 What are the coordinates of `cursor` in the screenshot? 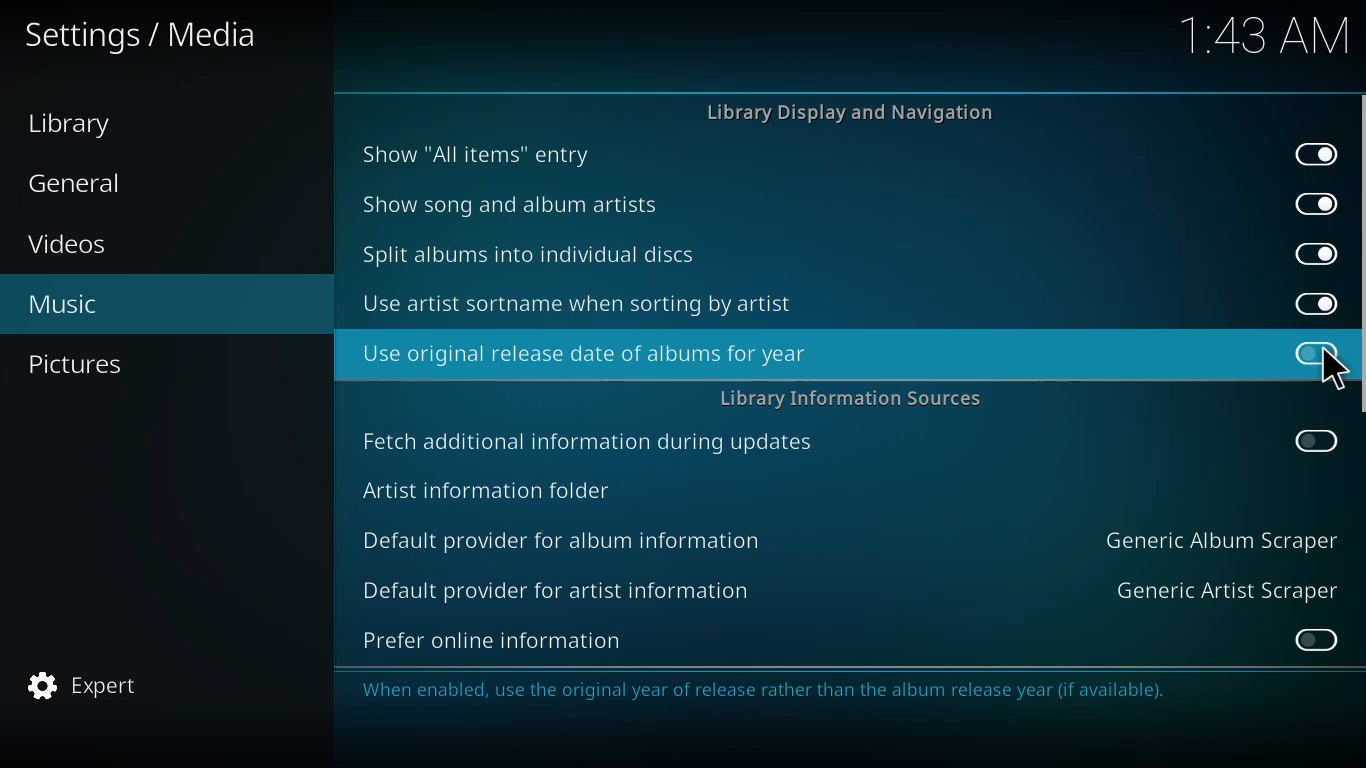 It's located at (1332, 371).